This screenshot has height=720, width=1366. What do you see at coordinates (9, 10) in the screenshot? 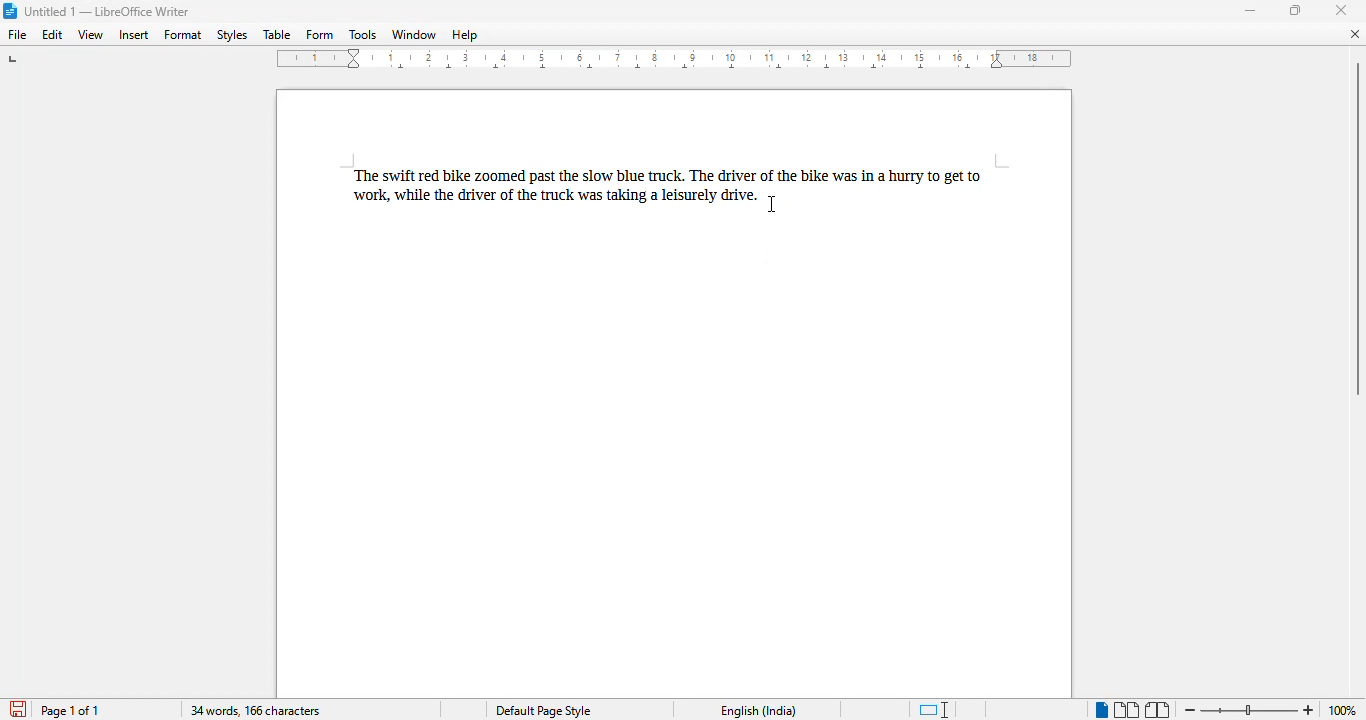
I see `LibreOffice logo` at bounding box center [9, 10].